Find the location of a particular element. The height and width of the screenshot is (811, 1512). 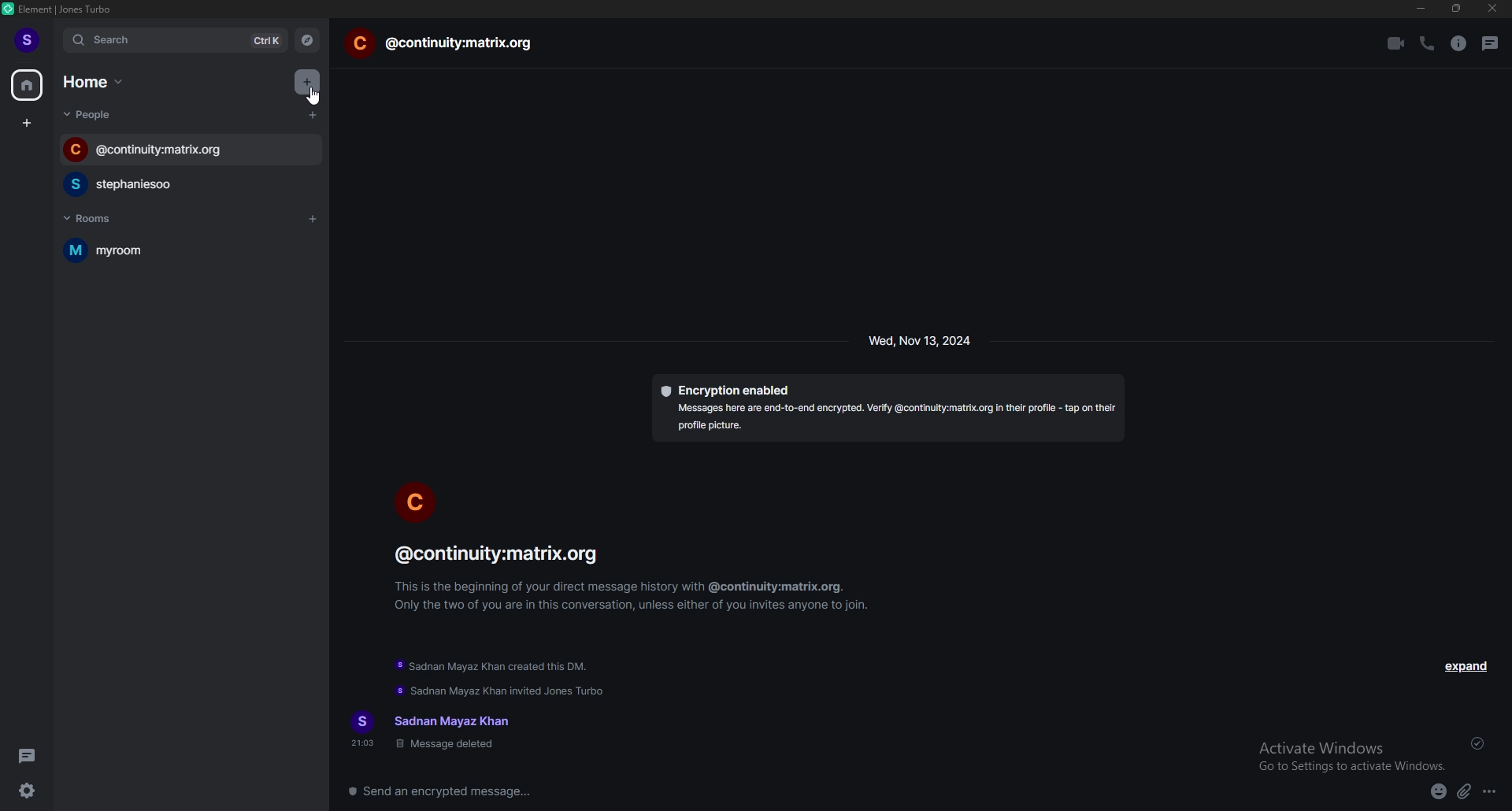

video call is located at coordinates (1395, 43).